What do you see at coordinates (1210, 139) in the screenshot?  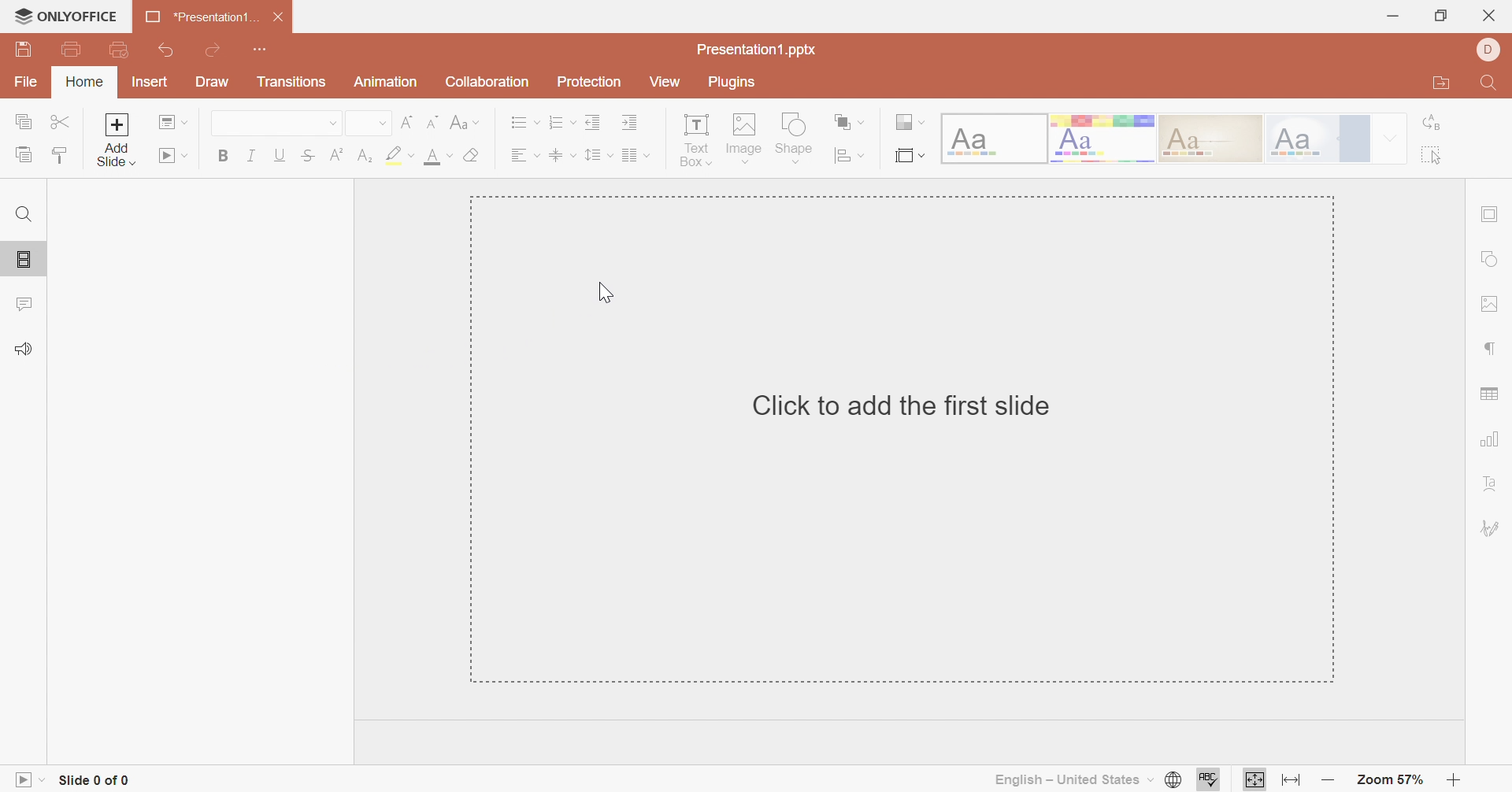 I see `Classic` at bounding box center [1210, 139].